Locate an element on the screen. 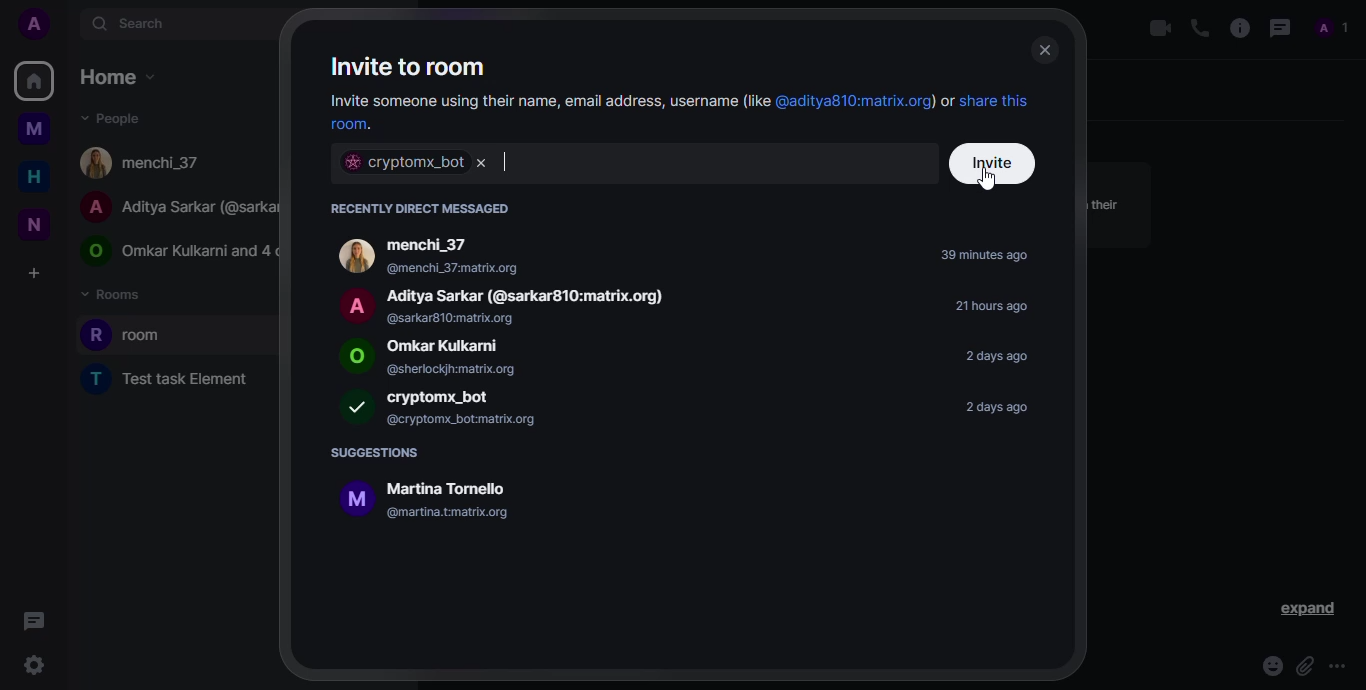  attach is located at coordinates (1306, 665).